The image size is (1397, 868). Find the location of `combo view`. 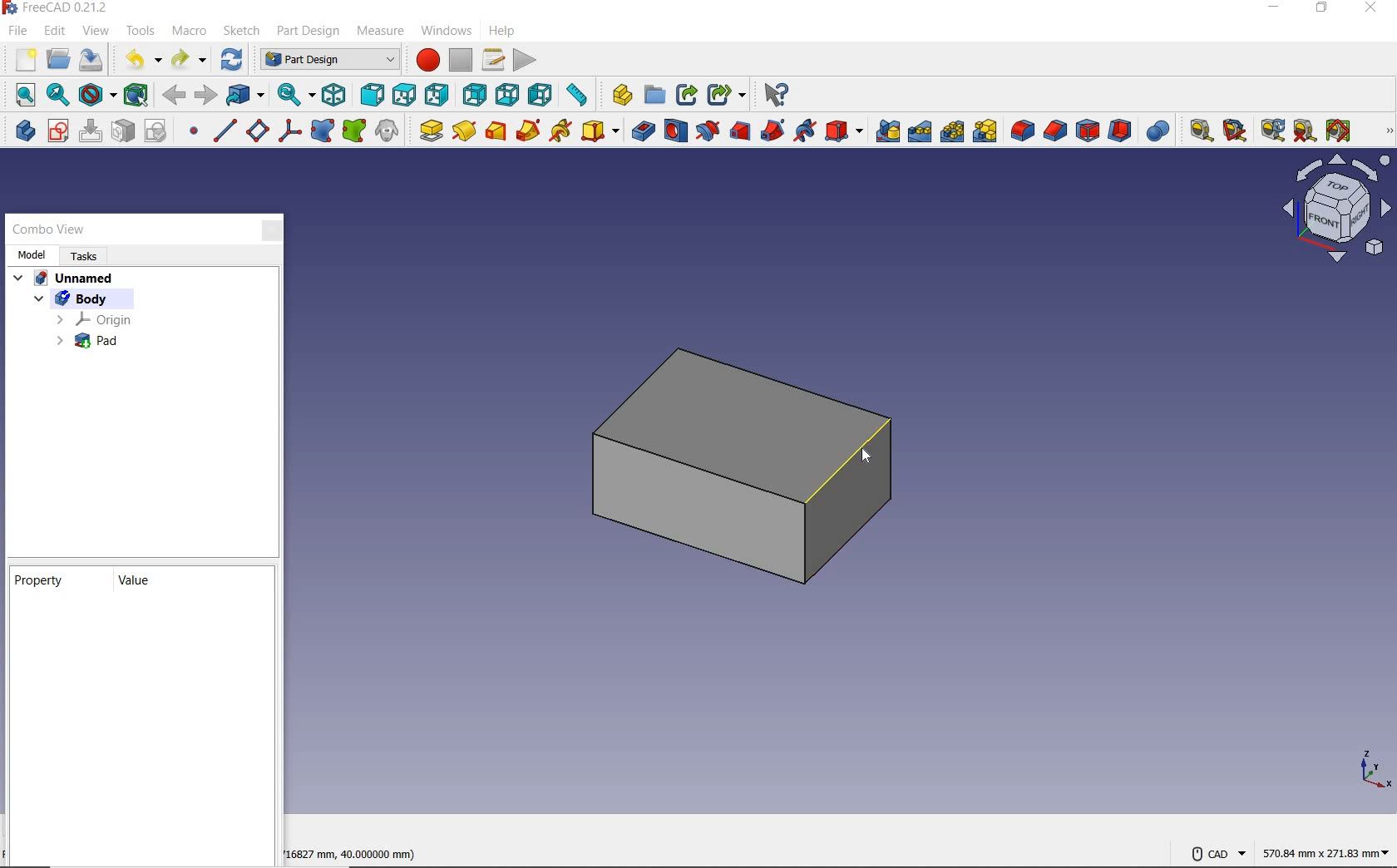

combo view is located at coordinates (49, 231).